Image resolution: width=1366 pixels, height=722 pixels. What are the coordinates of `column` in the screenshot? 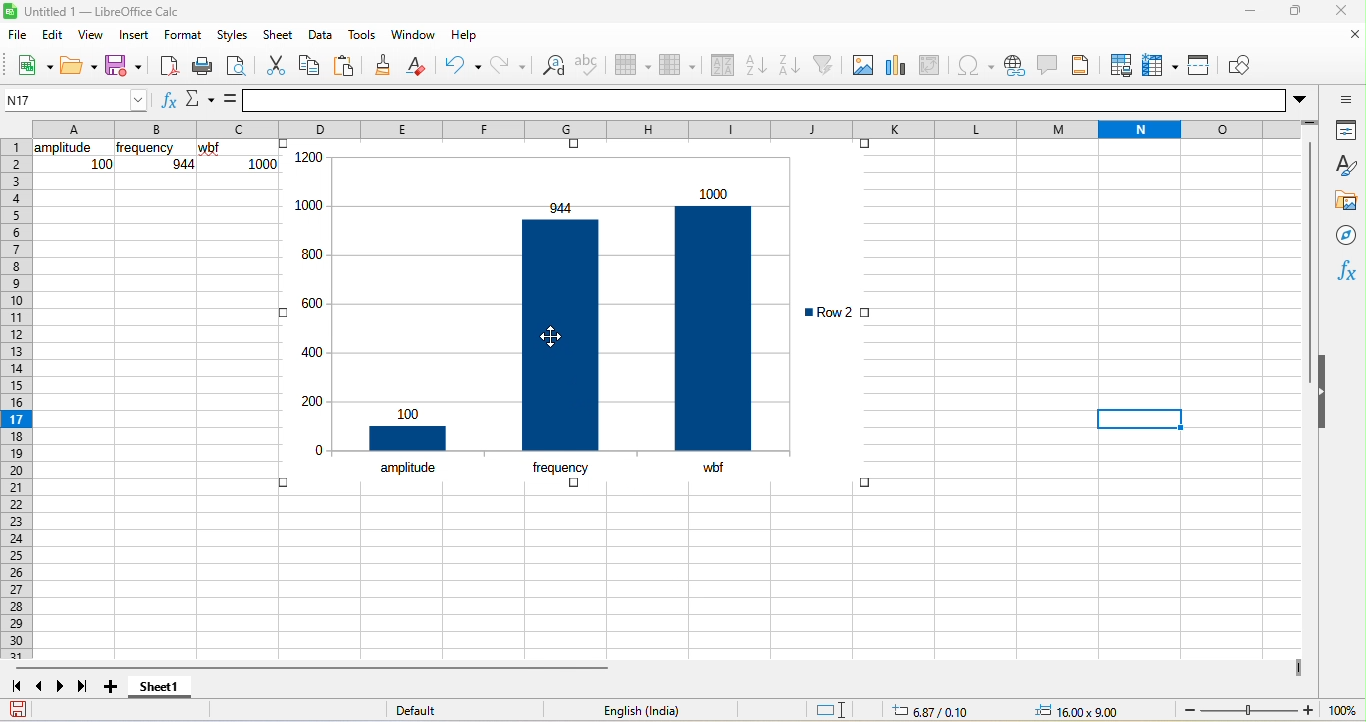 It's located at (677, 67).